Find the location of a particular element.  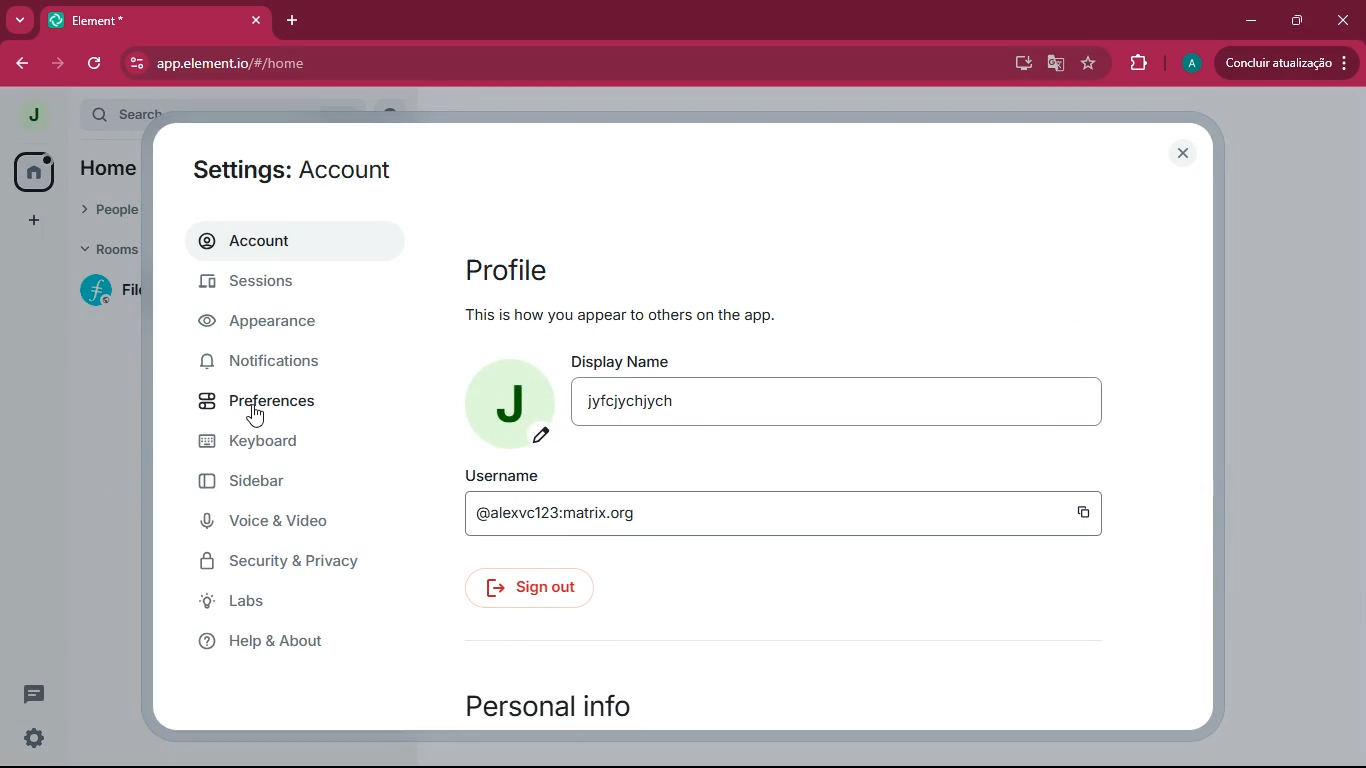

home is located at coordinates (34, 172).